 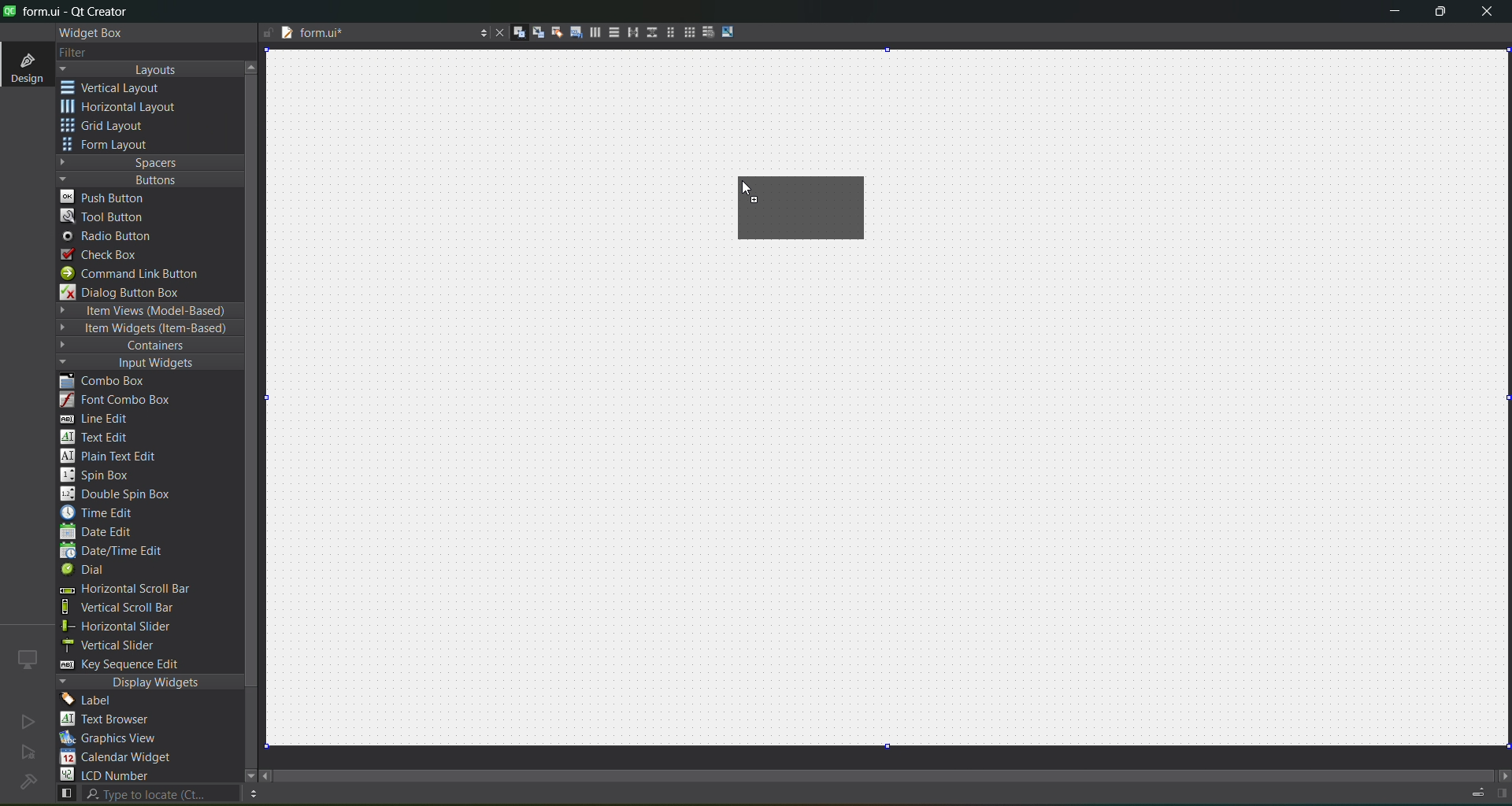 I want to click on move down, so click(x=243, y=774).